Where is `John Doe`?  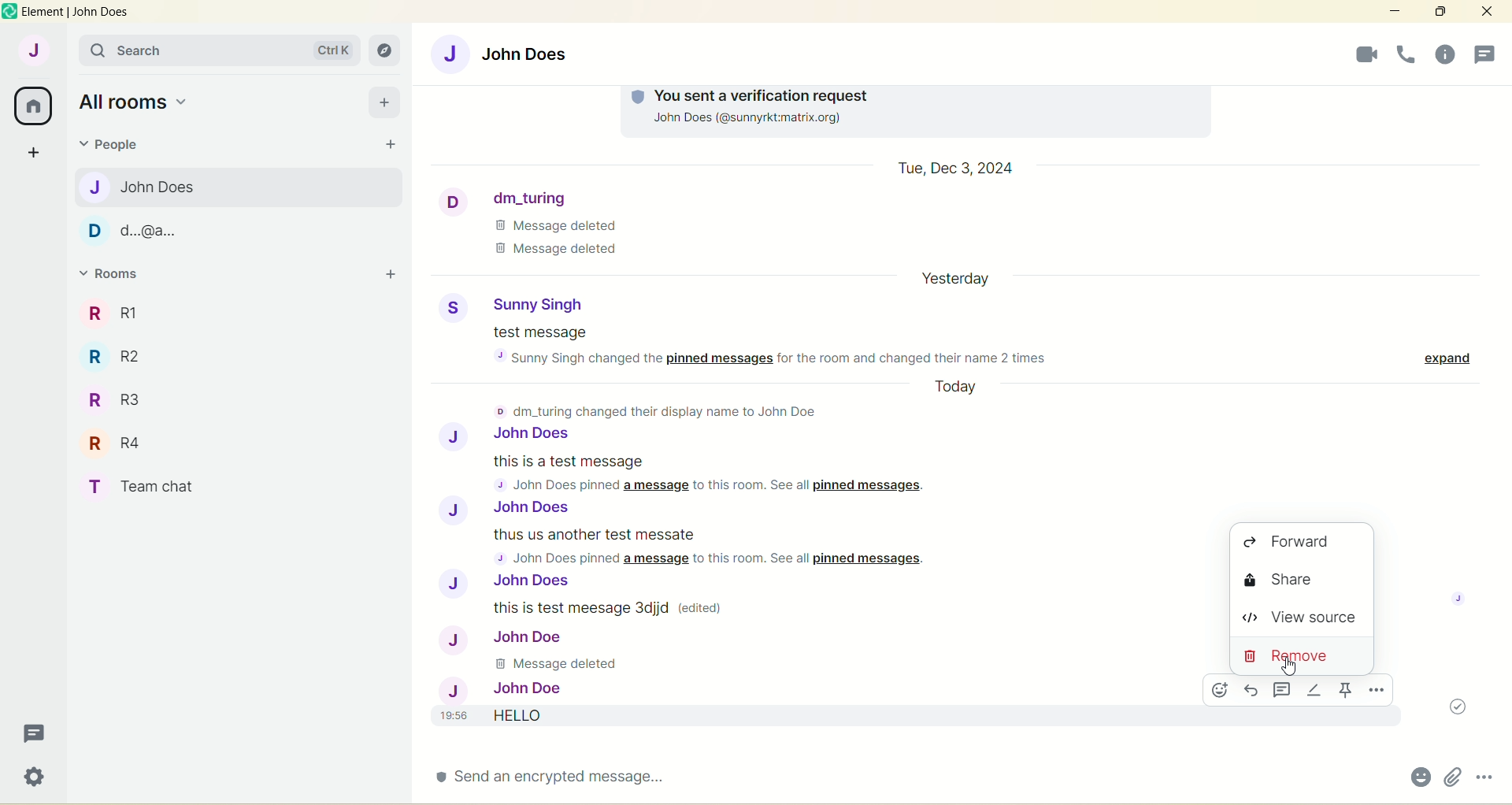
John Doe is located at coordinates (504, 638).